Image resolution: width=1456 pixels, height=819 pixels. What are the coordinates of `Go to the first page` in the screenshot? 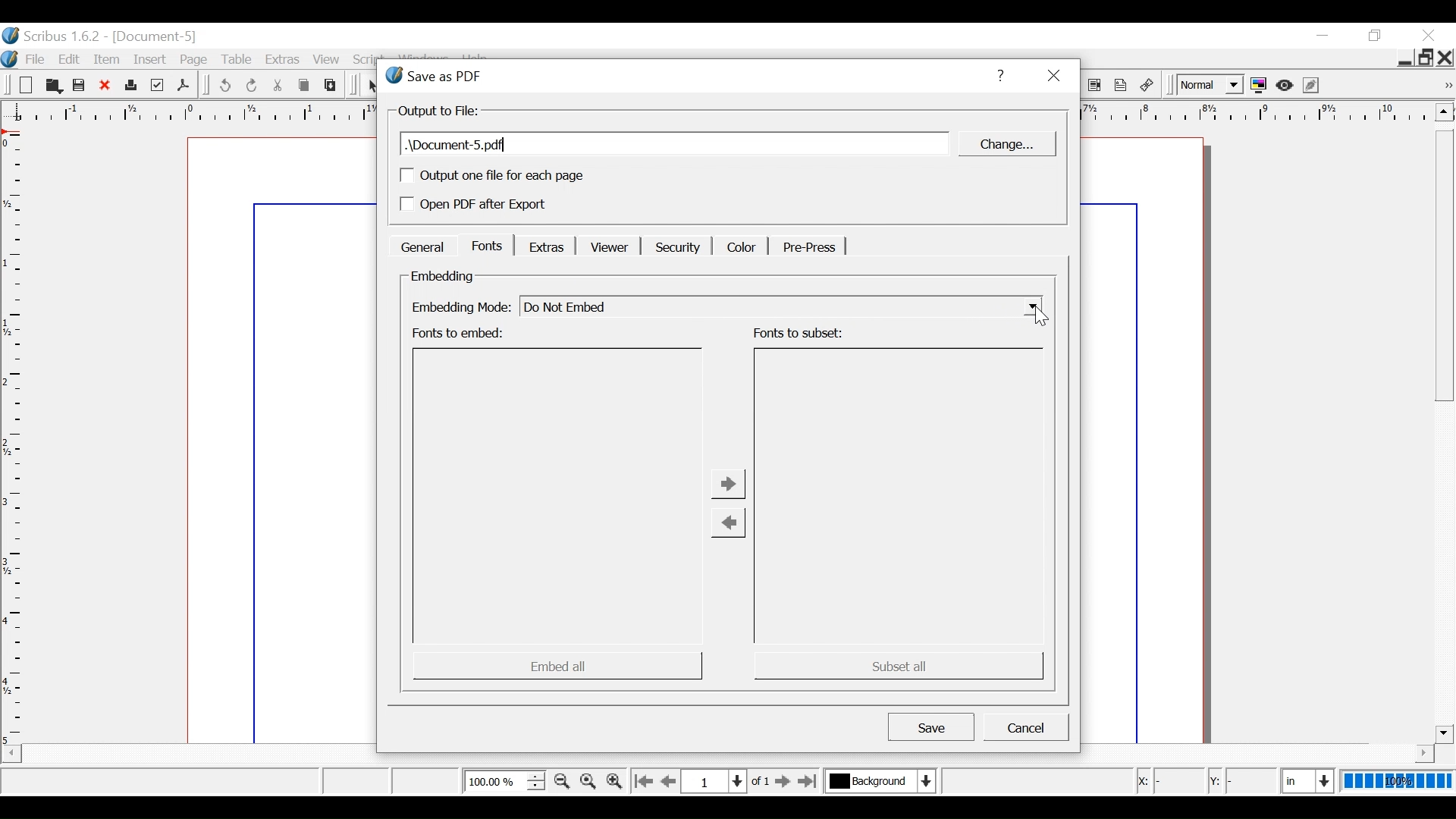 It's located at (642, 782).